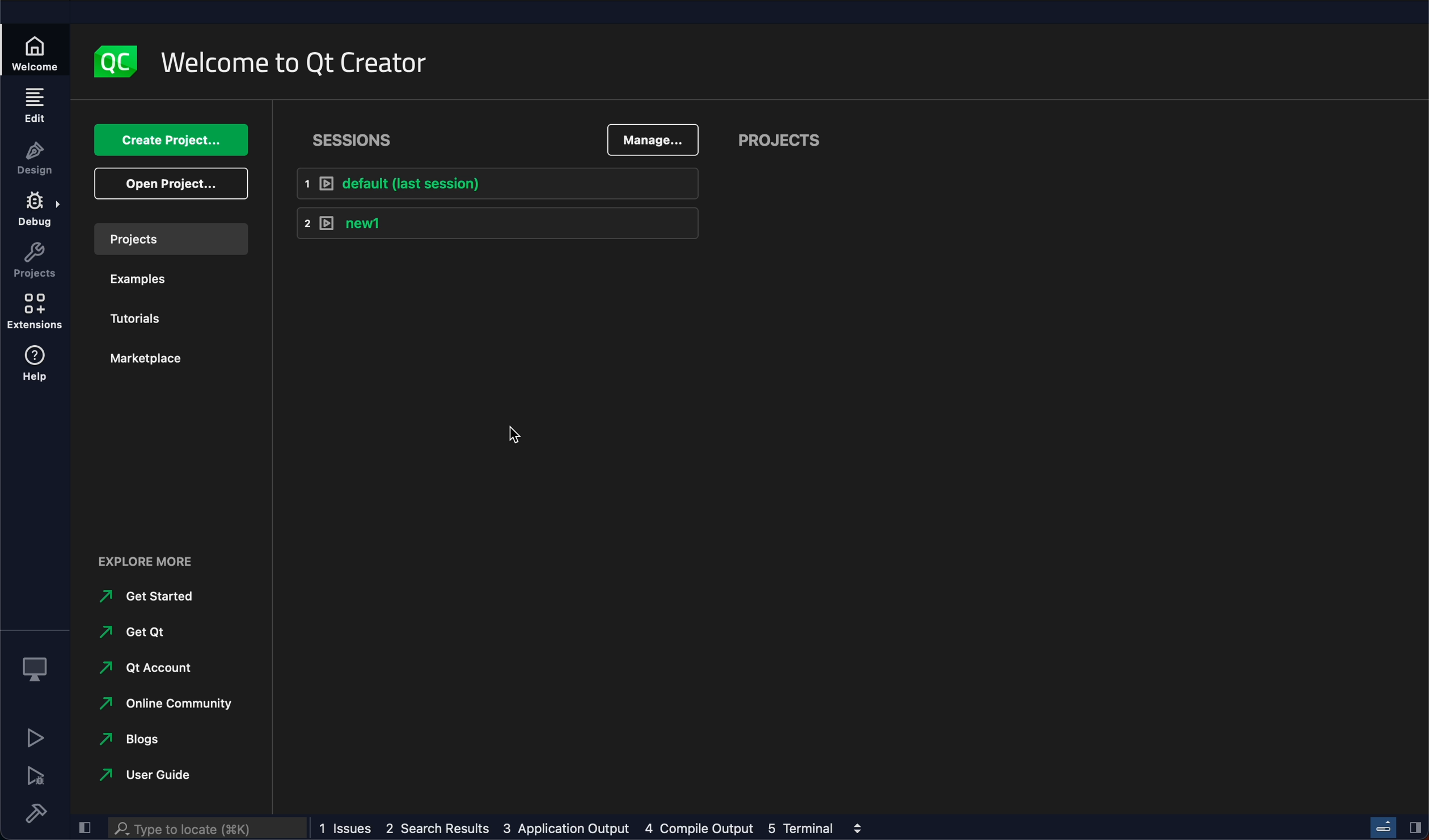  What do you see at coordinates (210, 829) in the screenshot?
I see `search` at bounding box center [210, 829].